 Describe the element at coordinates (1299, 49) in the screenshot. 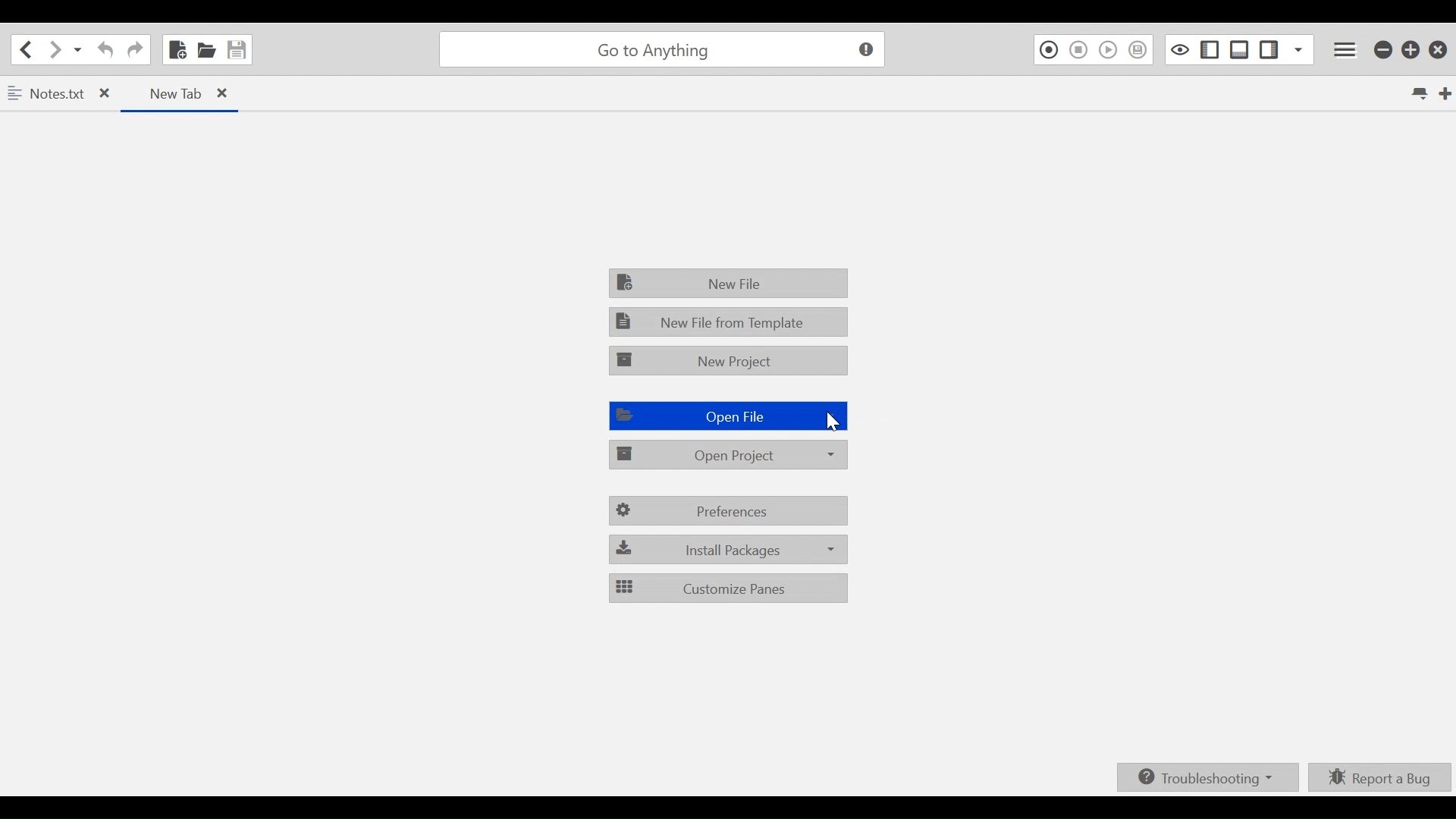

I see `Show Specific Sidebar` at that location.